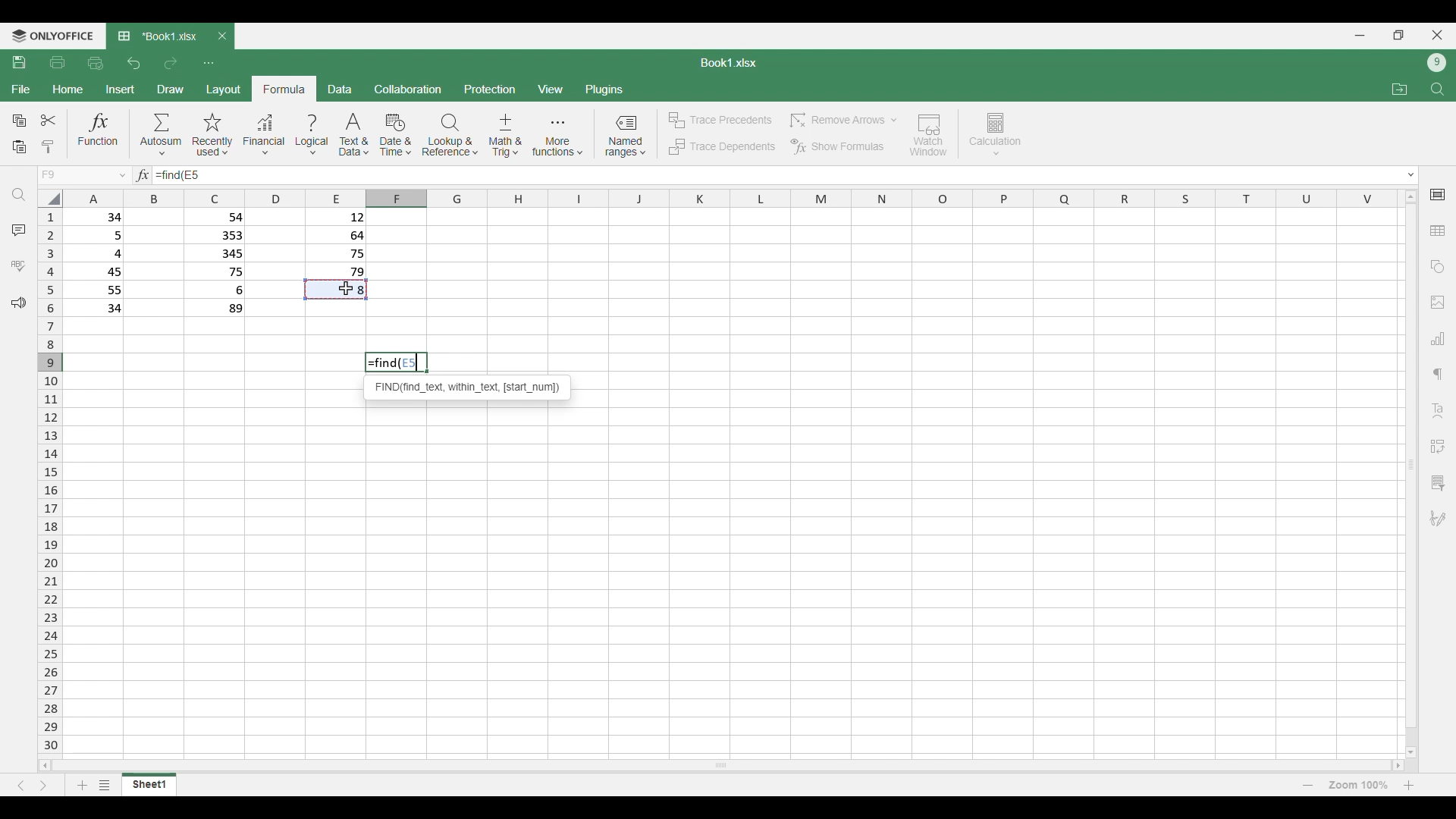 This screenshot has height=819, width=1456. Describe the element at coordinates (797, 175) in the screenshot. I see `Type in equation` at that location.